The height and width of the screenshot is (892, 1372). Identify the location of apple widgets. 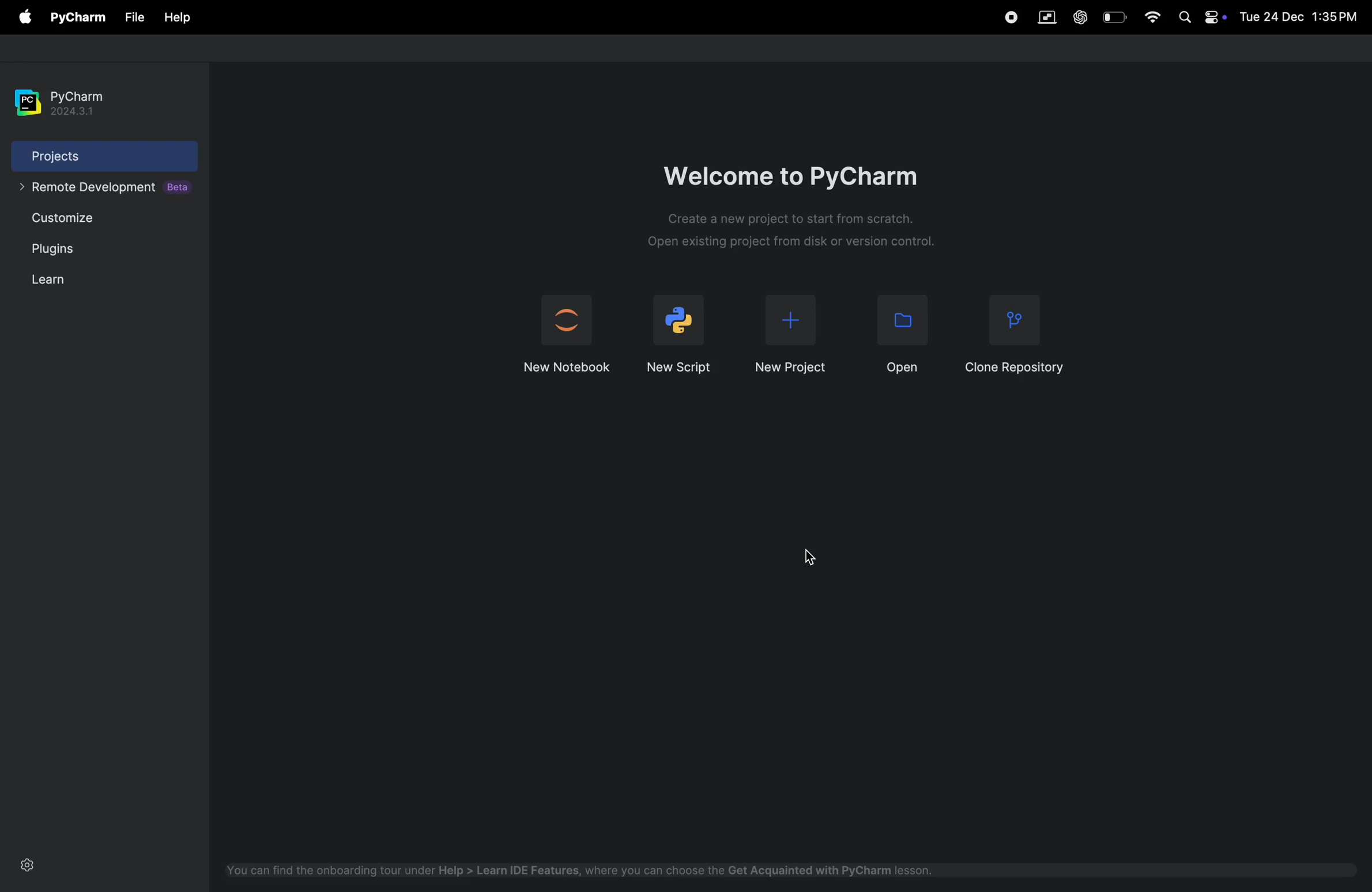
(1213, 16).